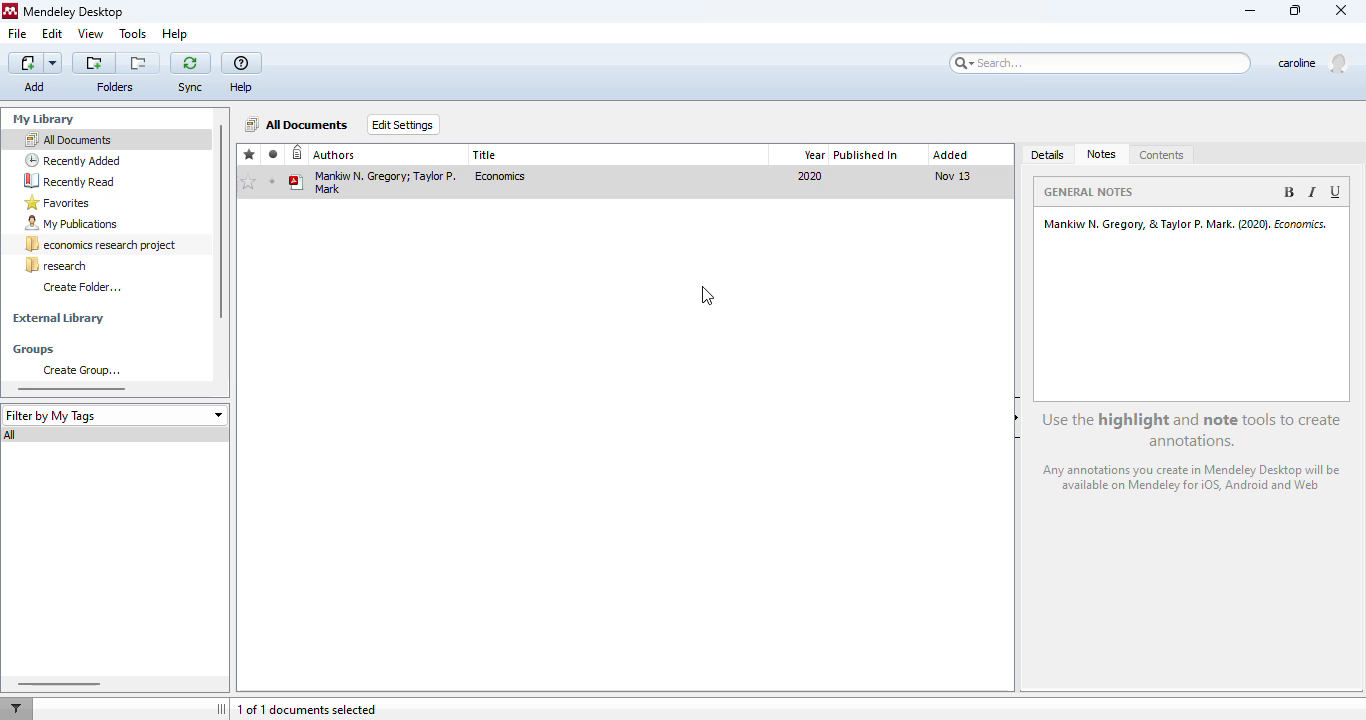 The height and width of the screenshot is (720, 1366). I want to click on remove the current folder, so click(139, 63).